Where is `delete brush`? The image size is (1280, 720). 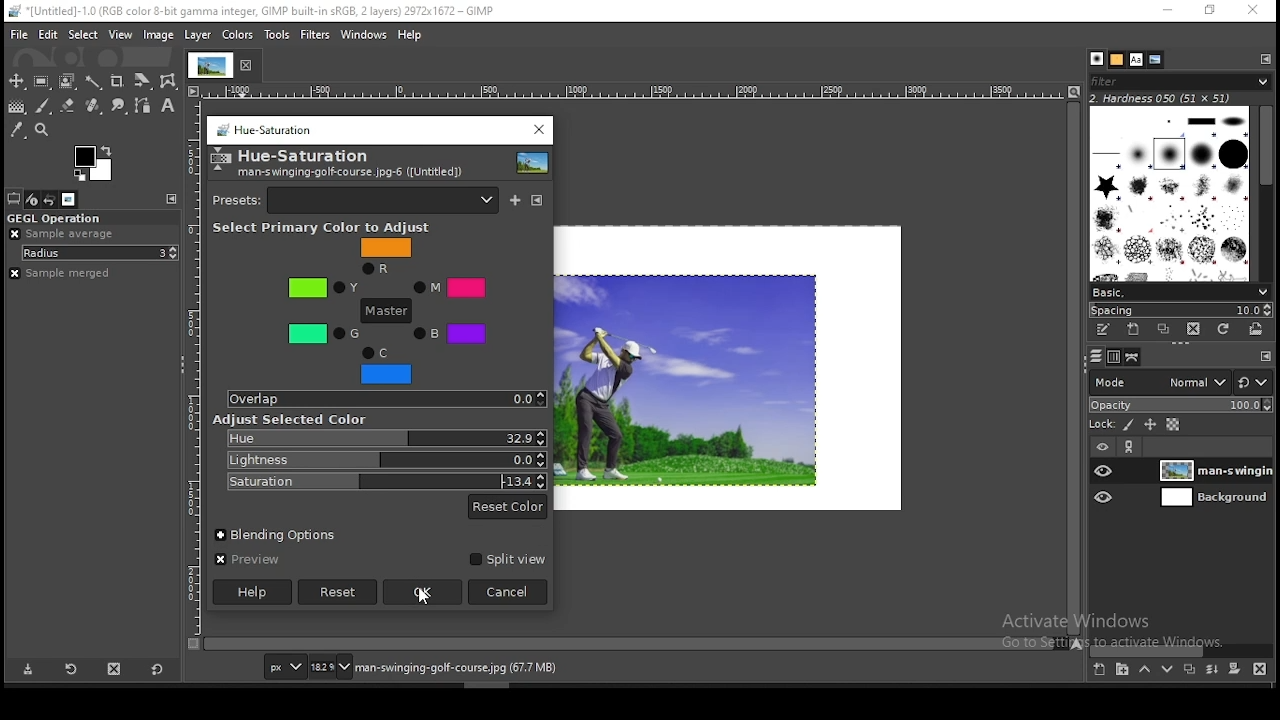
delete brush is located at coordinates (1192, 329).